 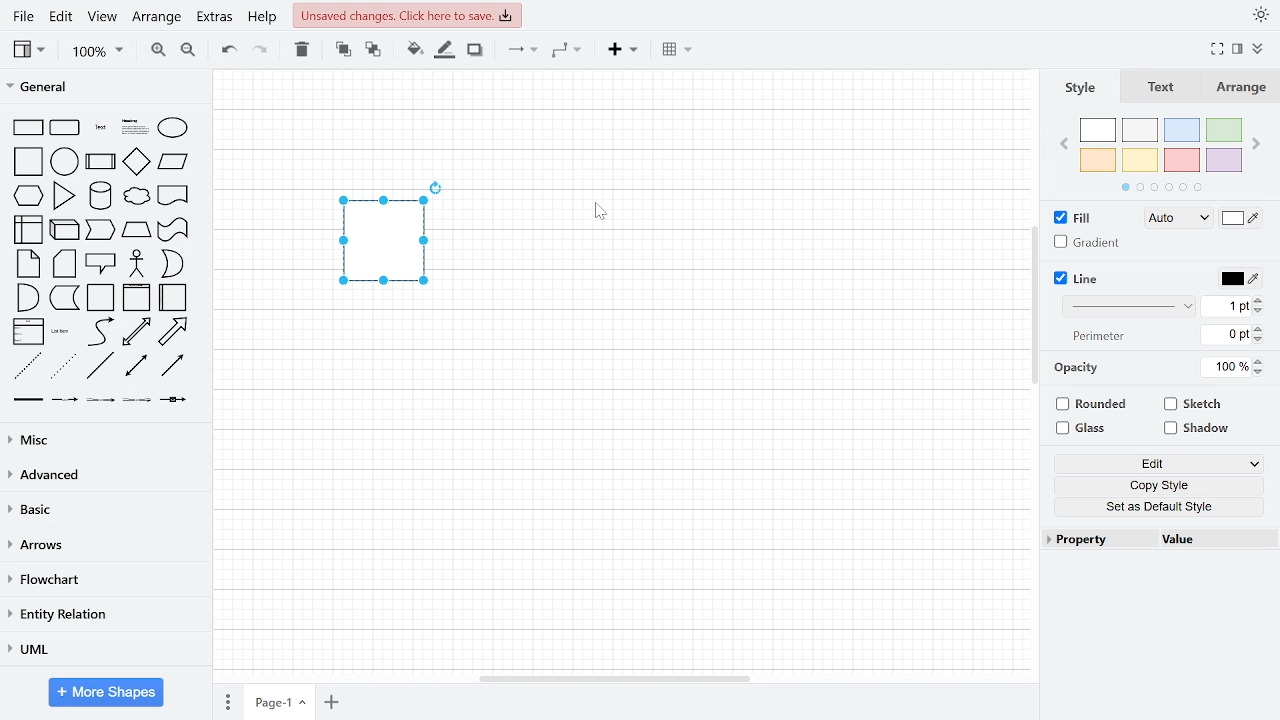 What do you see at coordinates (28, 228) in the screenshot?
I see `internal storage` at bounding box center [28, 228].